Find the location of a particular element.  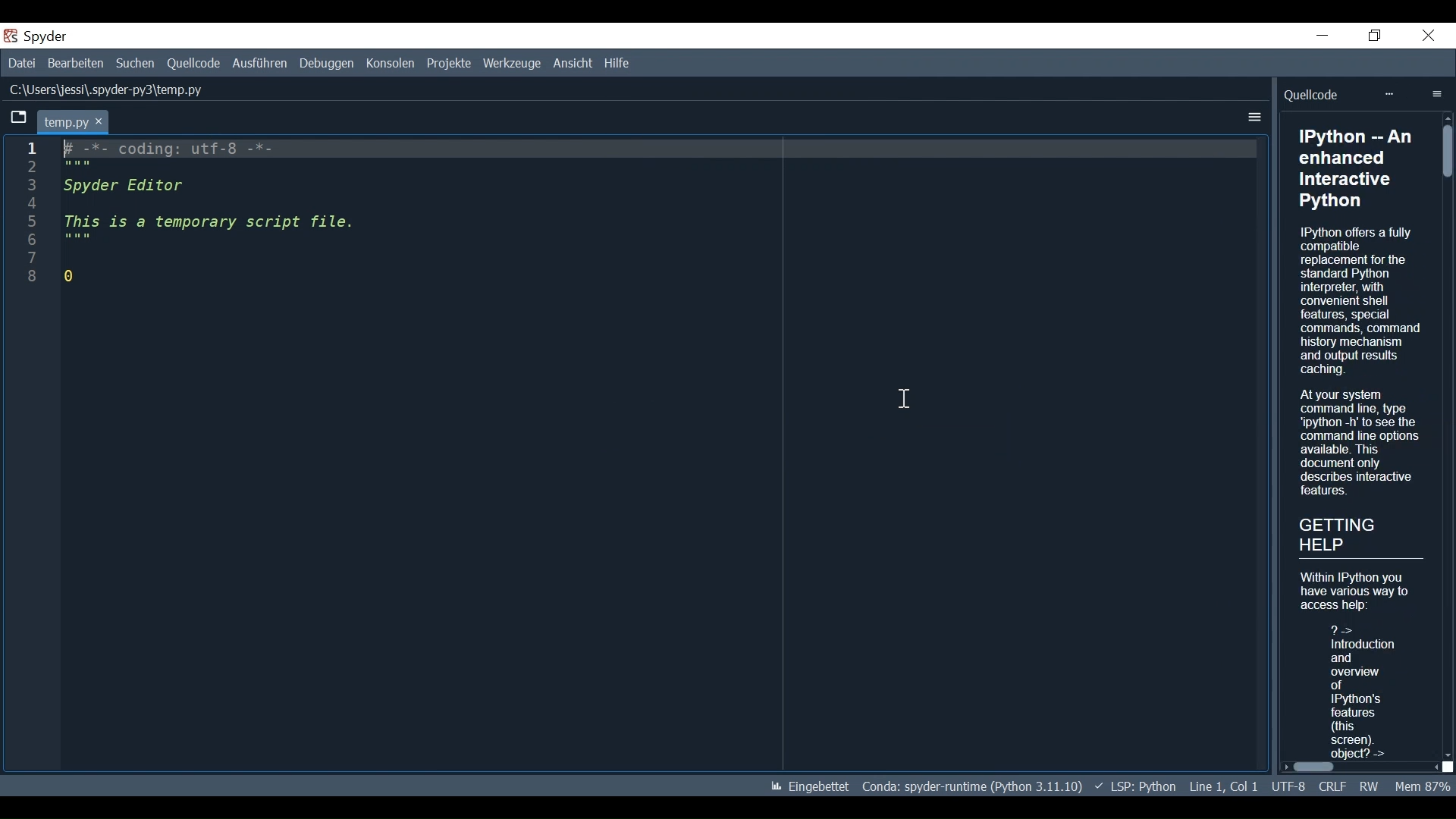

GETTING
HELP is located at coordinates (1355, 532).